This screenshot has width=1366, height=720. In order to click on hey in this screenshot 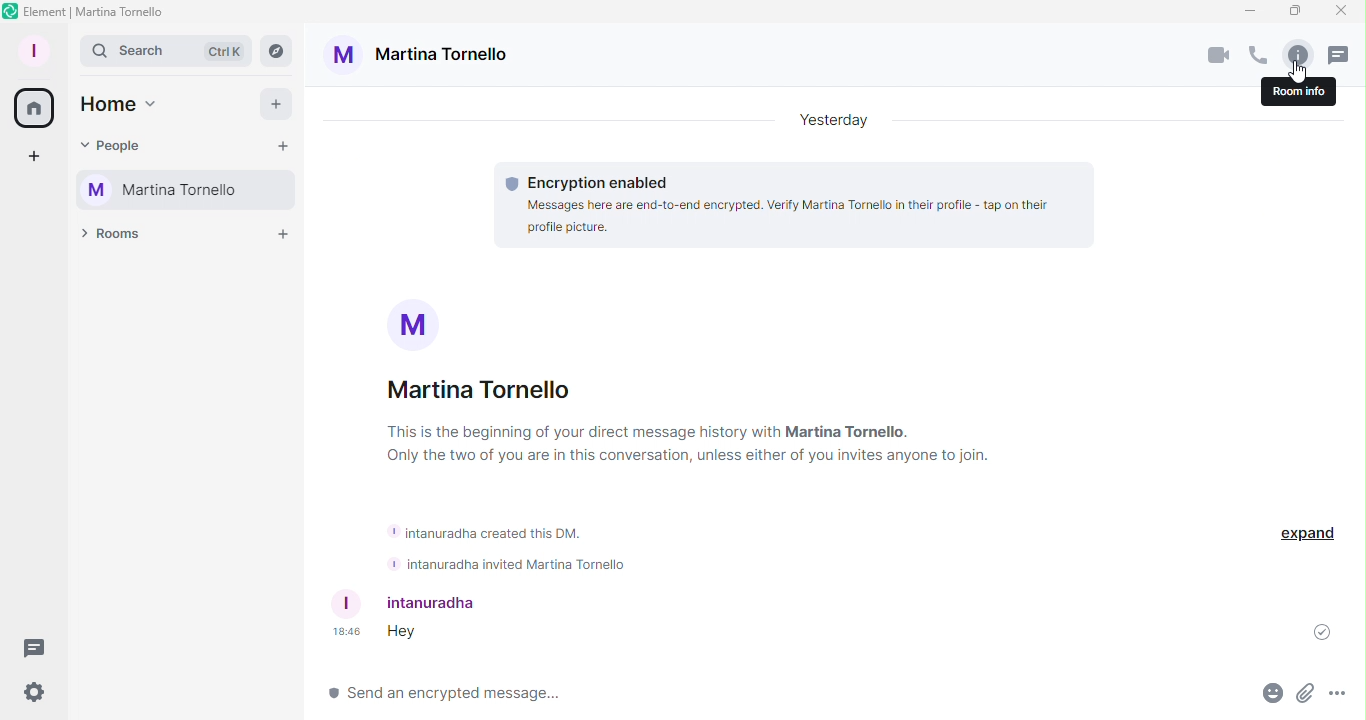, I will do `click(408, 632)`.